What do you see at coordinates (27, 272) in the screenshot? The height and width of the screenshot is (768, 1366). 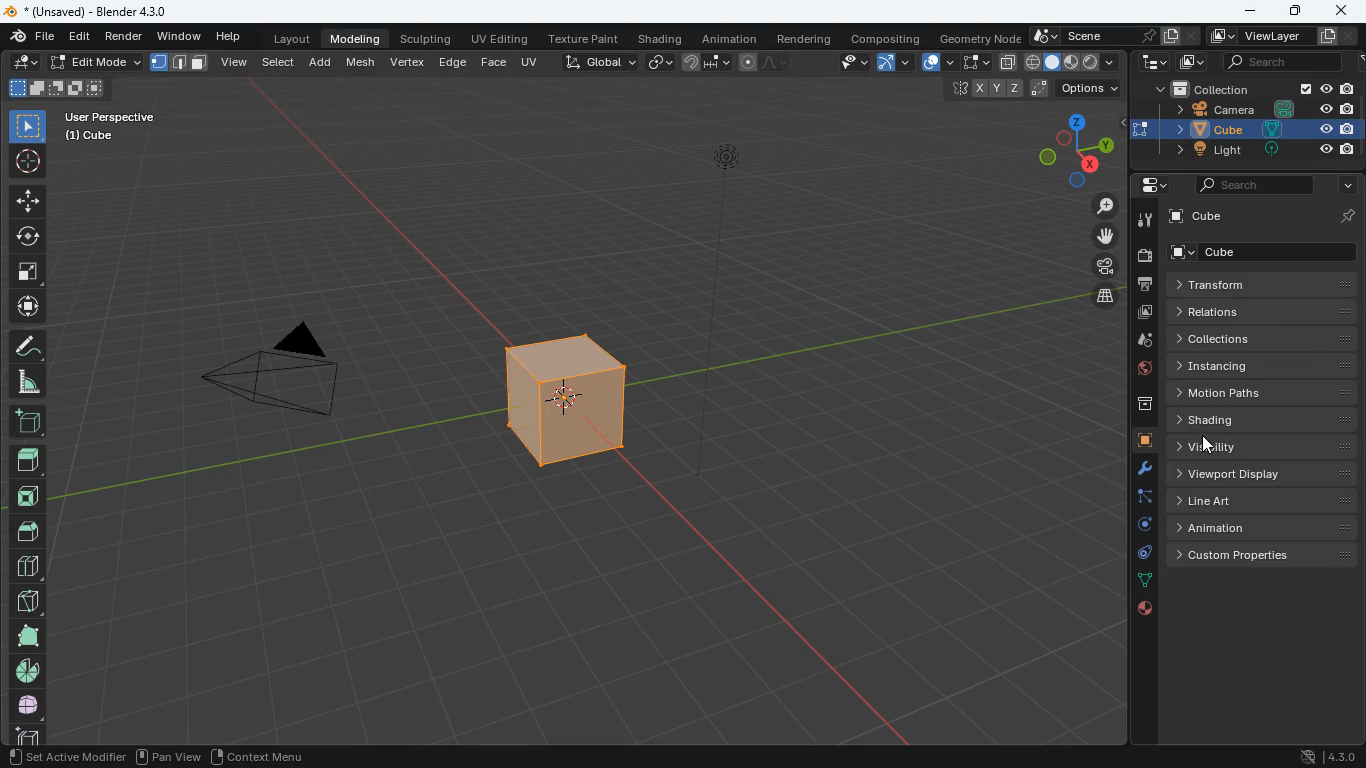 I see `fullscreen` at bounding box center [27, 272].